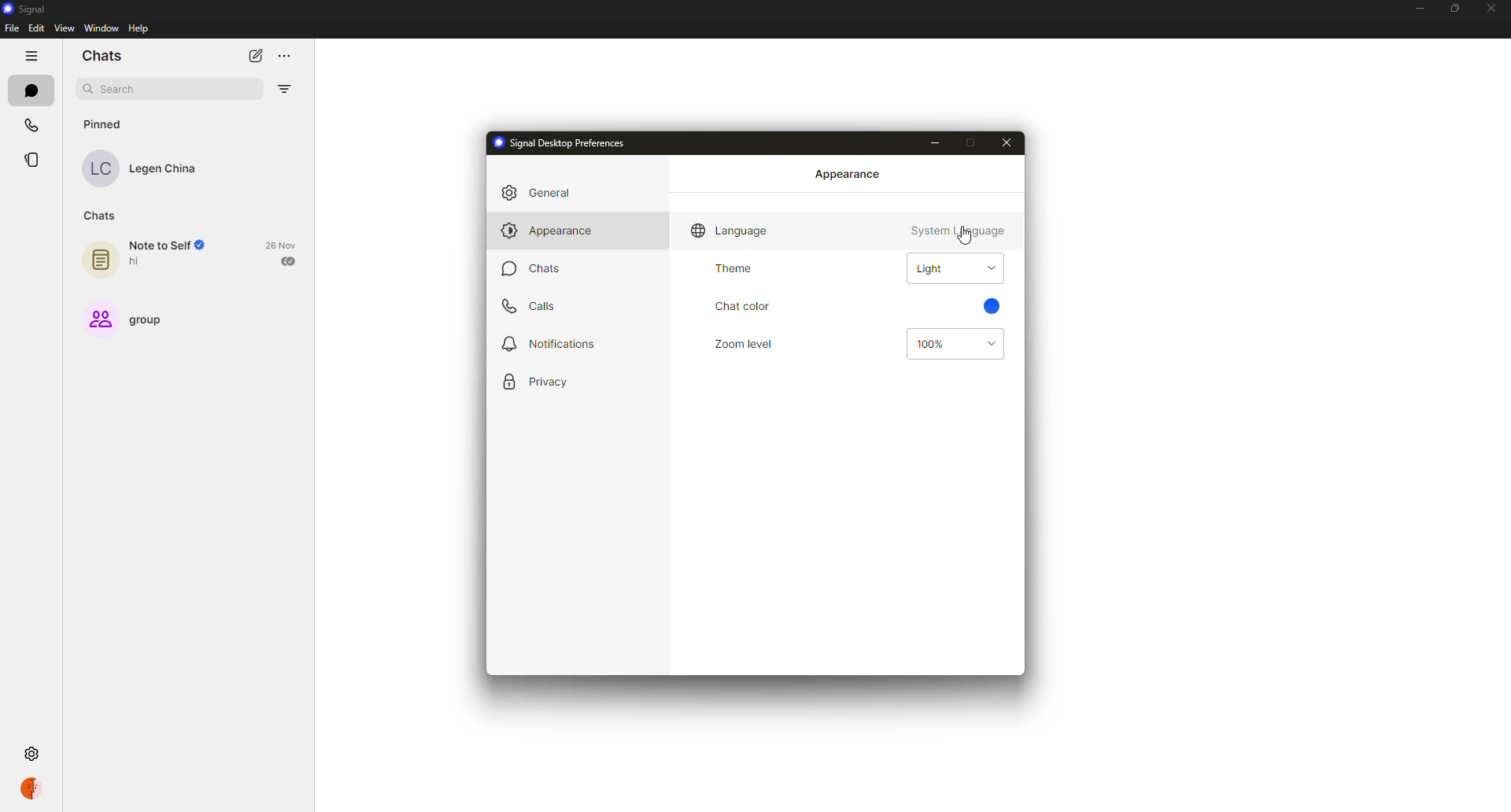 The height and width of the screenshot is (812, 1511). What do you see at coordinates (34, 160) in the screenshot?
I see `stories` at bounding box center [34, 160].